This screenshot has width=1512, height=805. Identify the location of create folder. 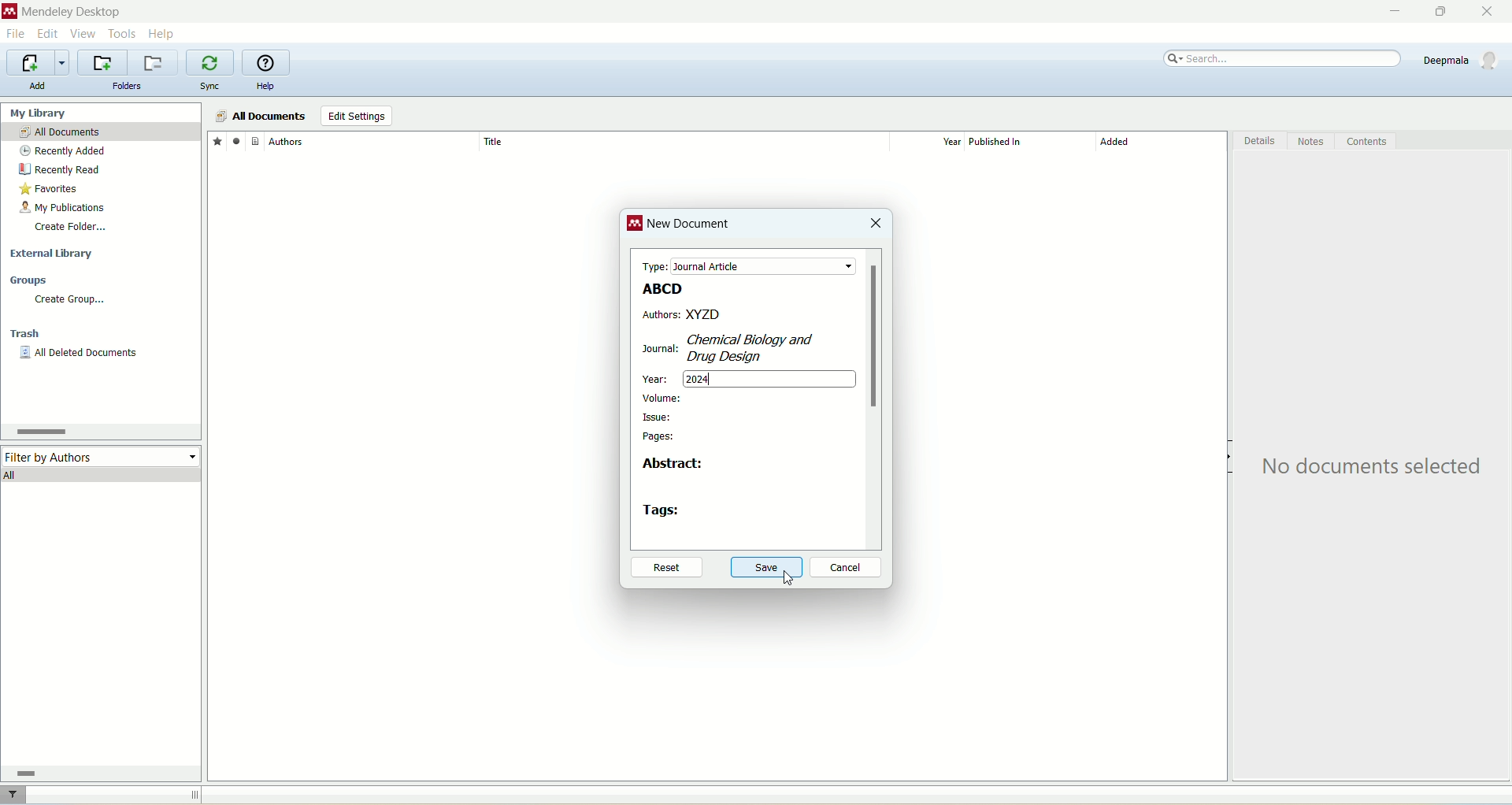
(70, 226).